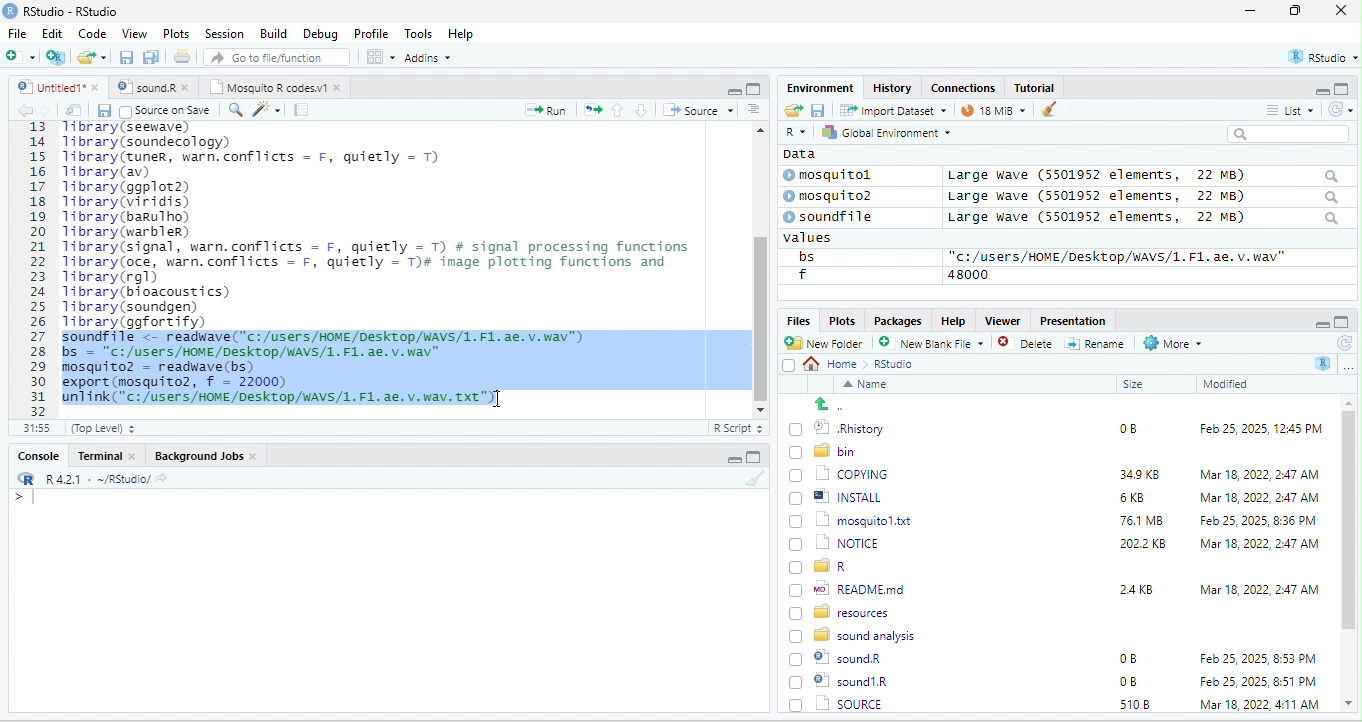  Describe the element at coordinates (1171, 344) in the screenshot. I see ` More ` at that location.